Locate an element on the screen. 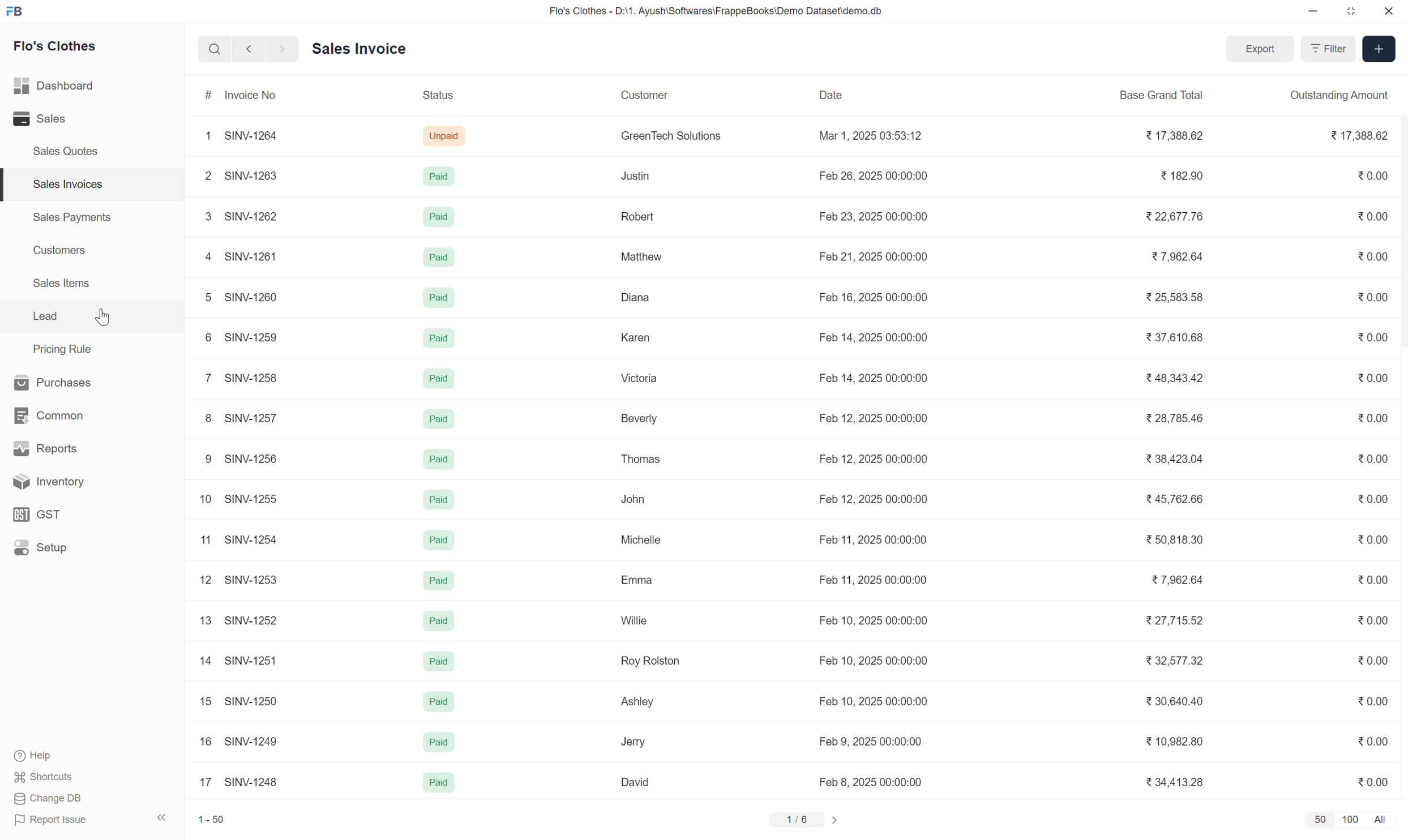 The height and width of the screenshot is (840, 1408). 0.00 is located at coordinates (1371, 498).